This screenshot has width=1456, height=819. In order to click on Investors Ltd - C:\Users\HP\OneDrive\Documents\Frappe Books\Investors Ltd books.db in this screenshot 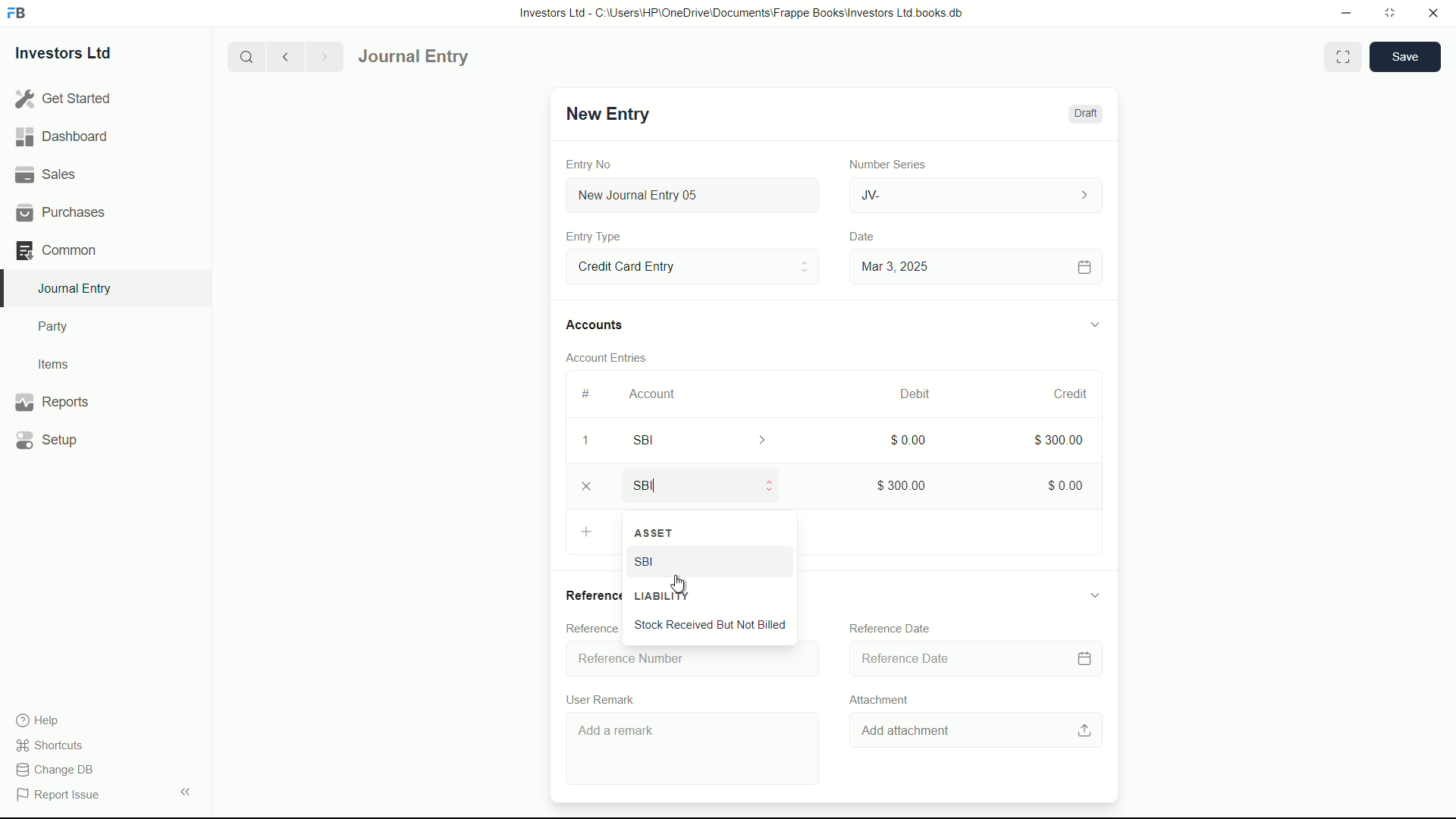, I will do `click(743, 12)`.